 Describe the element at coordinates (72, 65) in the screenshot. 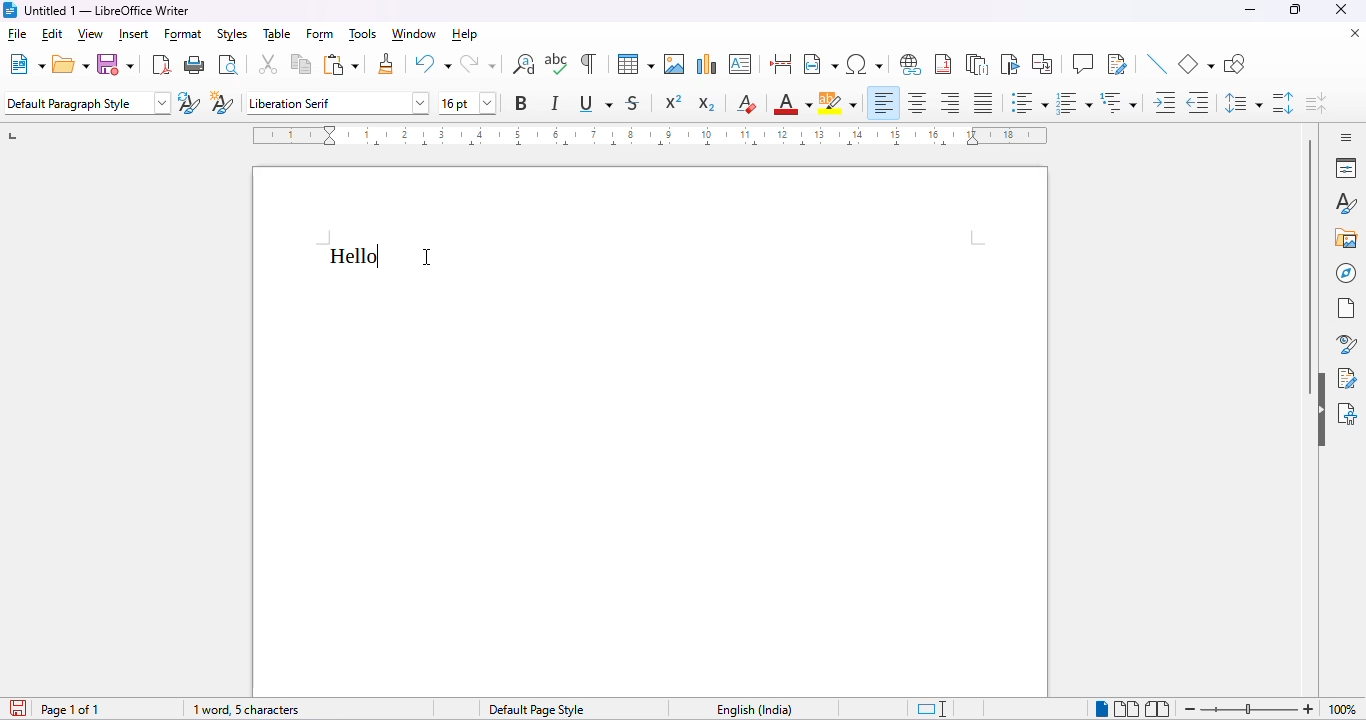

I see `open` at that location.